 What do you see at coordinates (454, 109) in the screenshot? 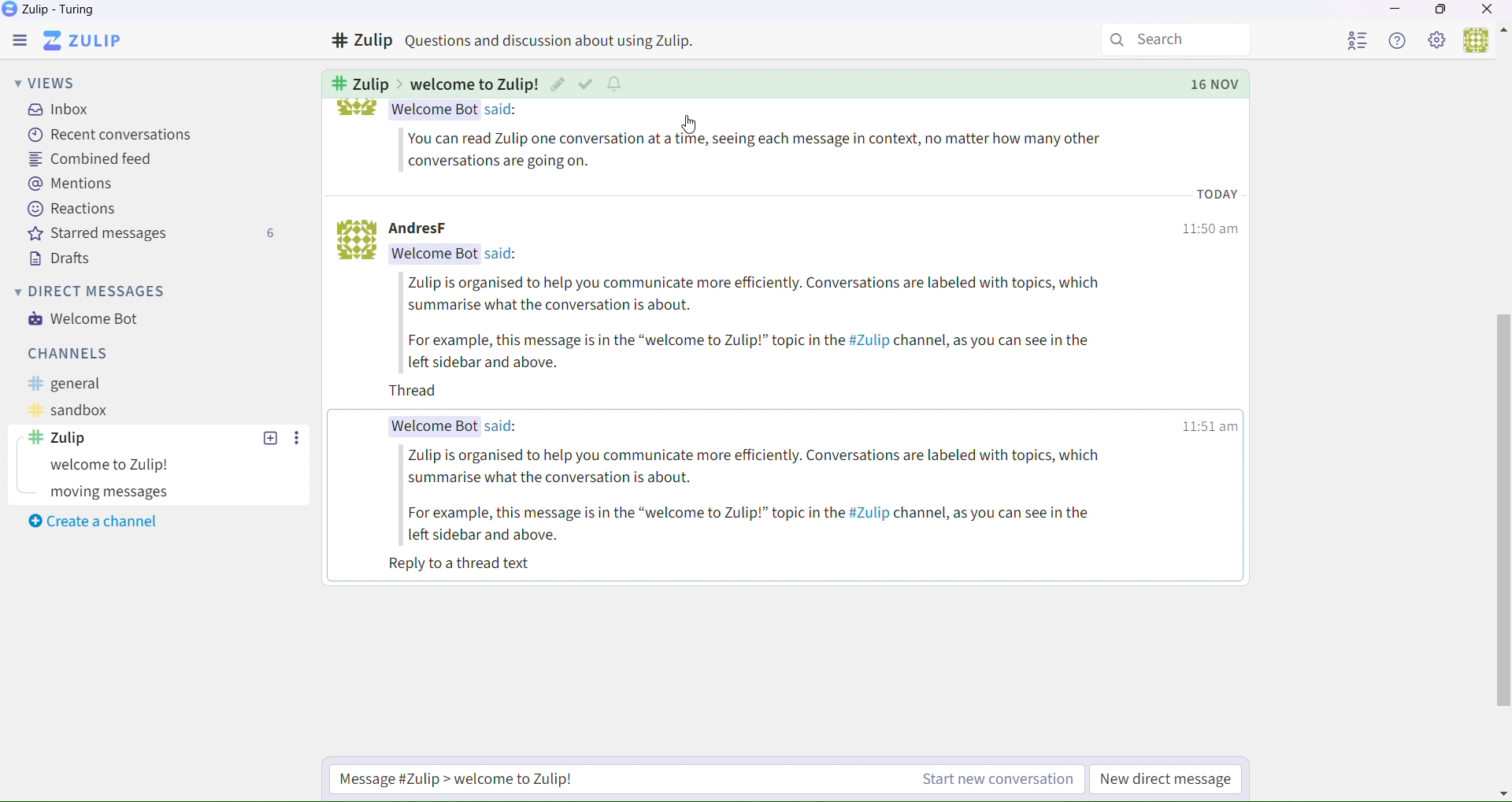
I see `Welcome bot` at bounding box center [454, 109].